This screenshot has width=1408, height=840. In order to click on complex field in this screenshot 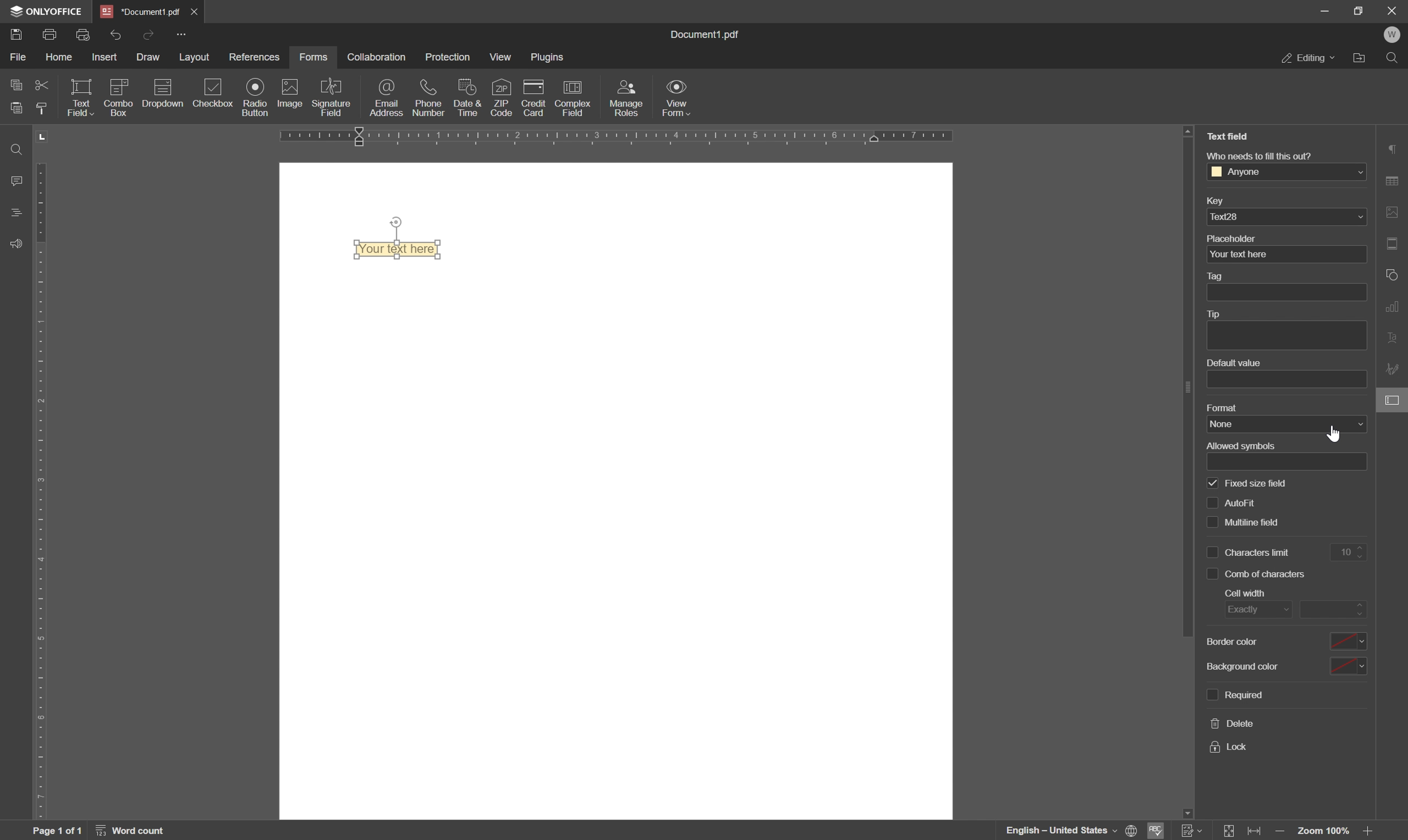, I will do `click(576, 97)`.